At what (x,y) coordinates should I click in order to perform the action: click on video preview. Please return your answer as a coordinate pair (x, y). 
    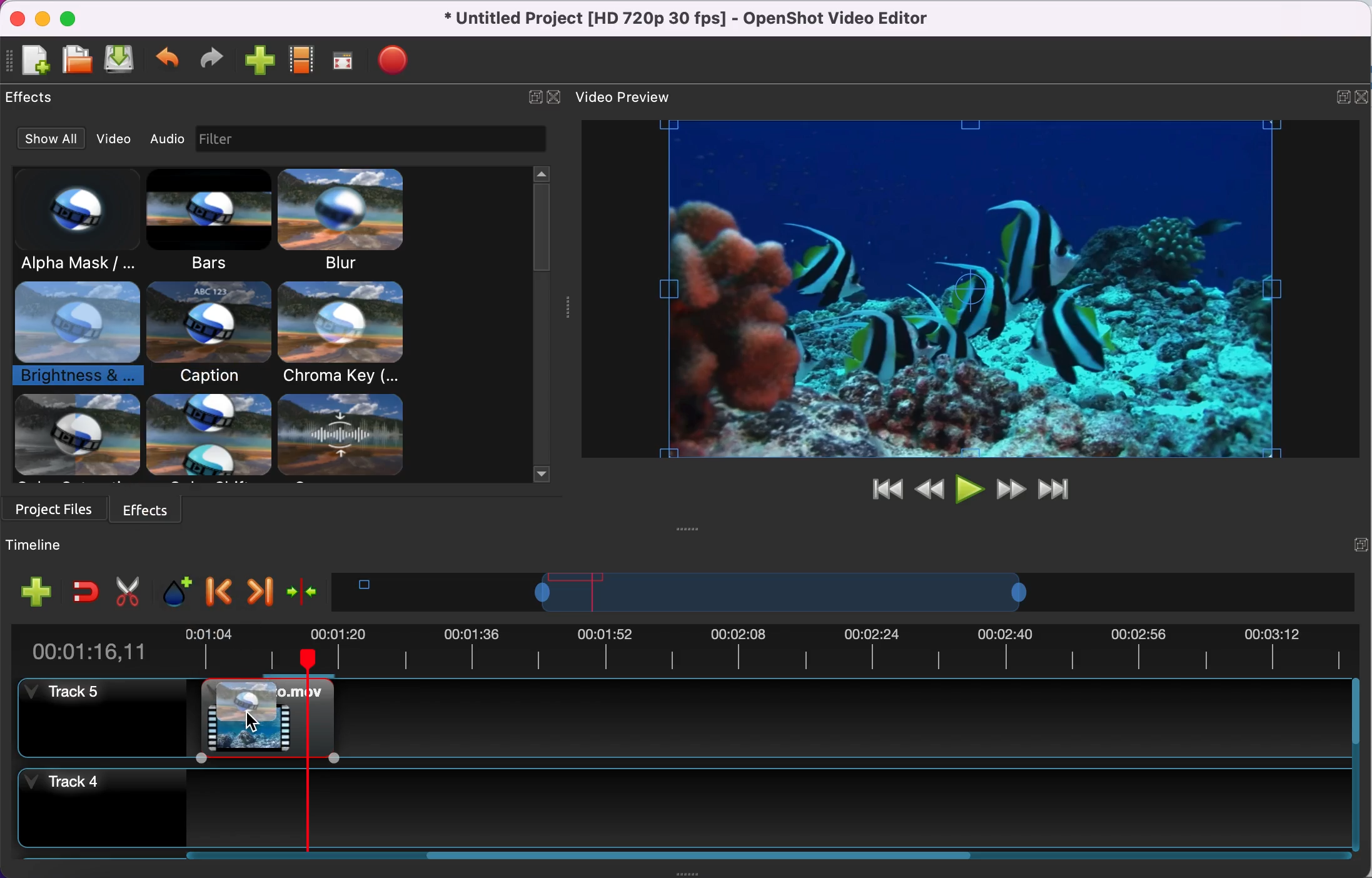
    Looking at the image, I should click on (968, 291).